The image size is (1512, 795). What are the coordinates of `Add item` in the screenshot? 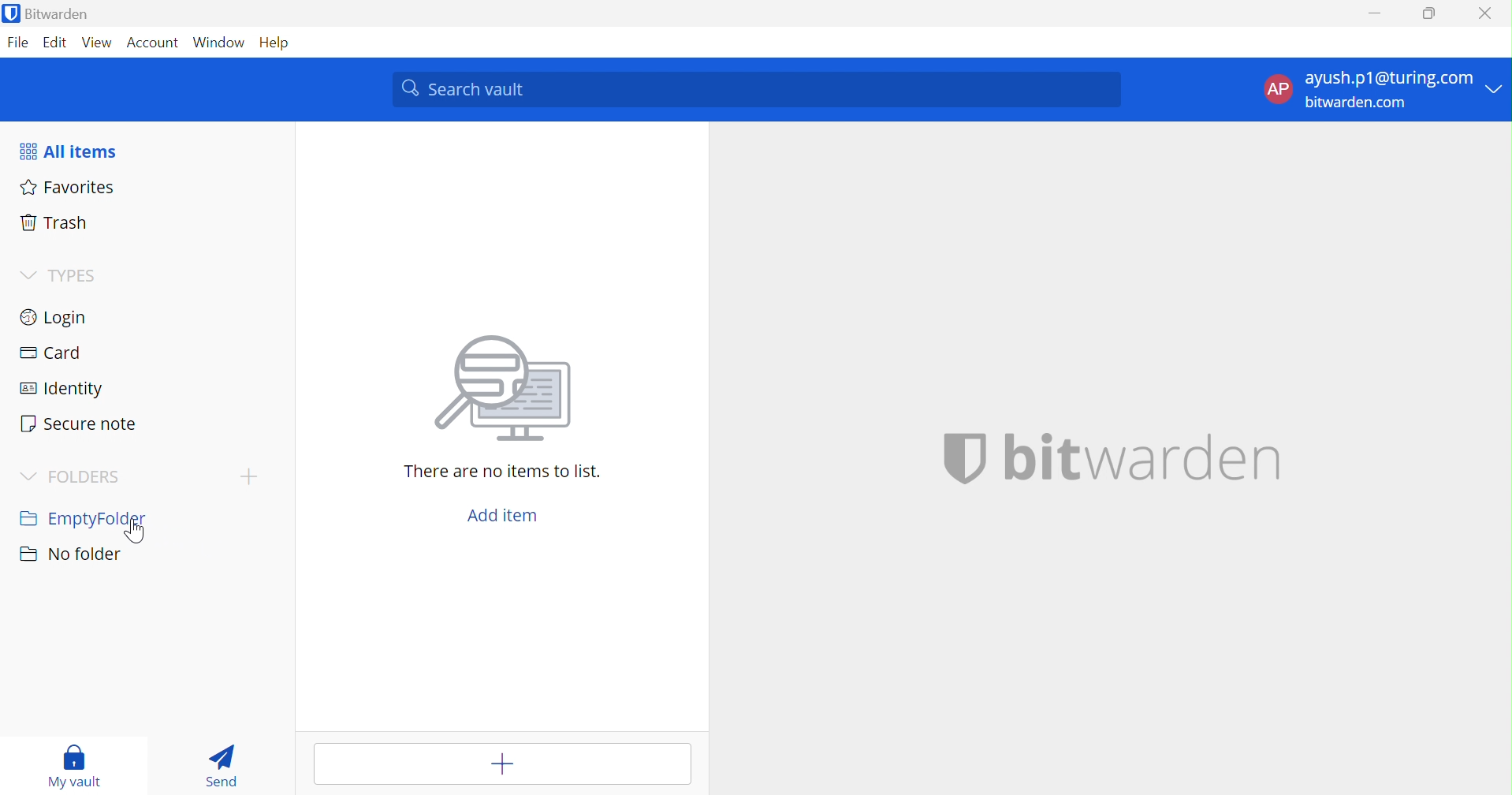 It's located at (506, 763).